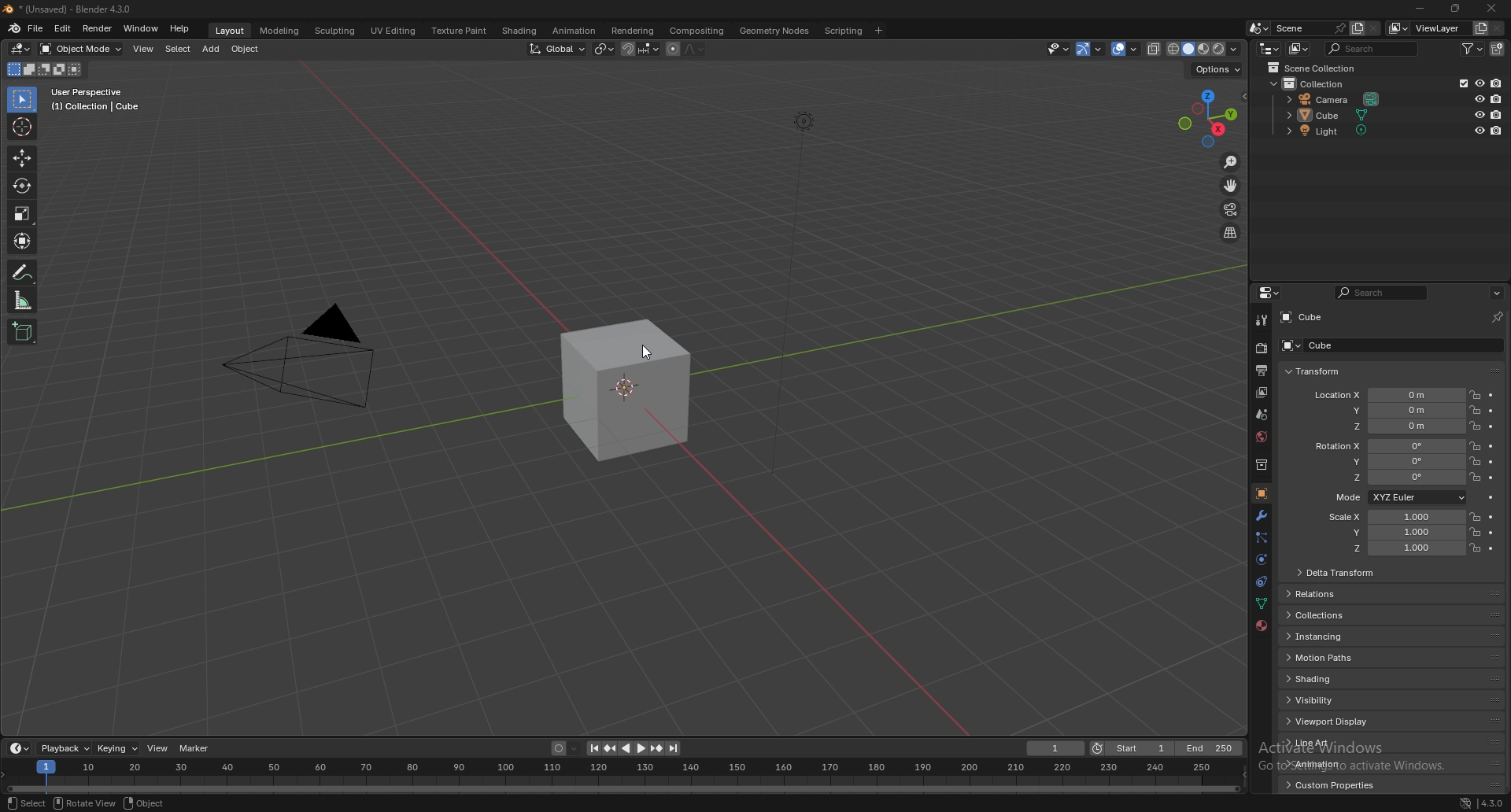  I want to click on auto keying, so click(565, 748).